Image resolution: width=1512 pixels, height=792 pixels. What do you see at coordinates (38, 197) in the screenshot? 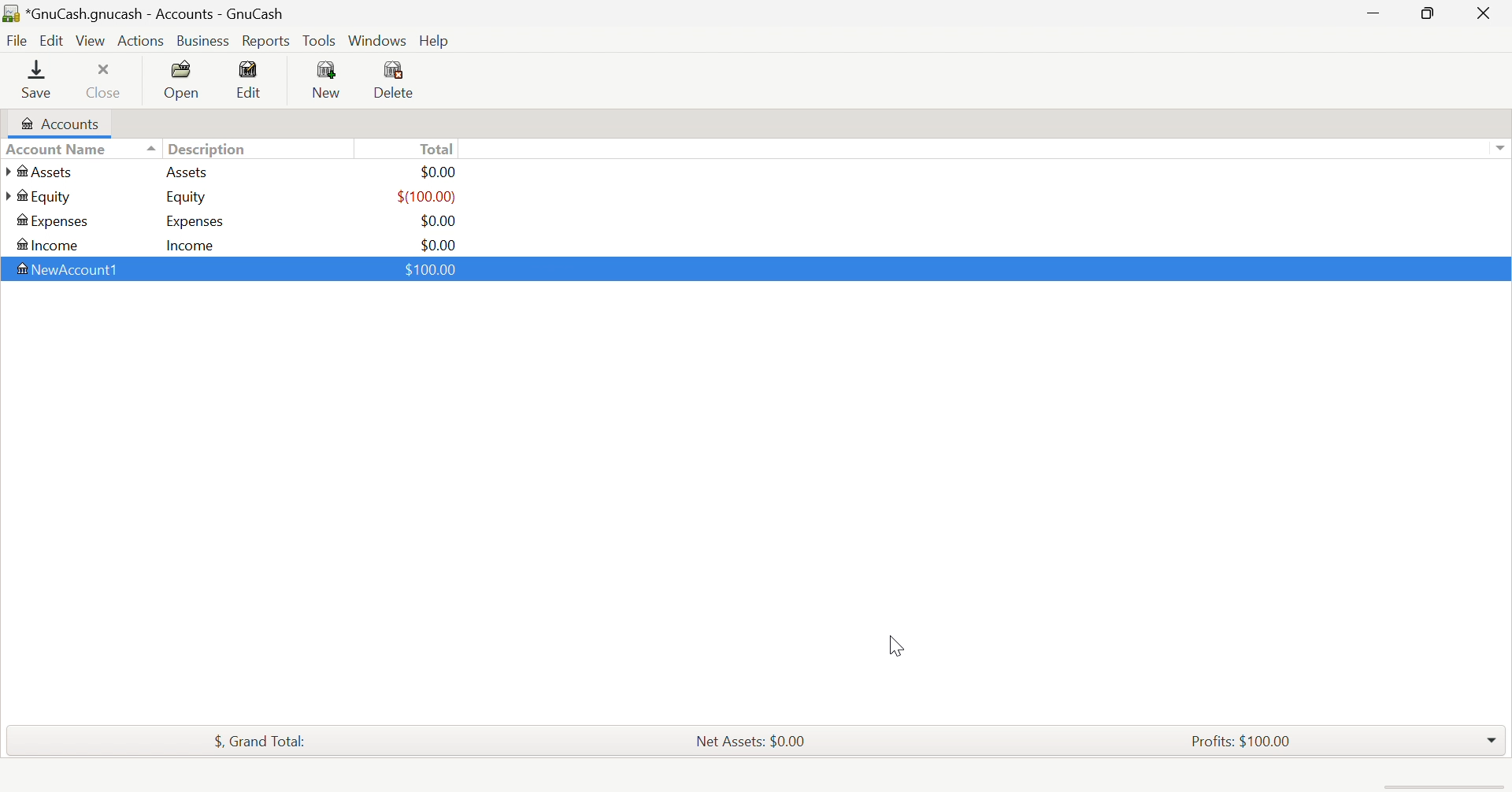
I see `Equity` at bounding box center [38, 197].